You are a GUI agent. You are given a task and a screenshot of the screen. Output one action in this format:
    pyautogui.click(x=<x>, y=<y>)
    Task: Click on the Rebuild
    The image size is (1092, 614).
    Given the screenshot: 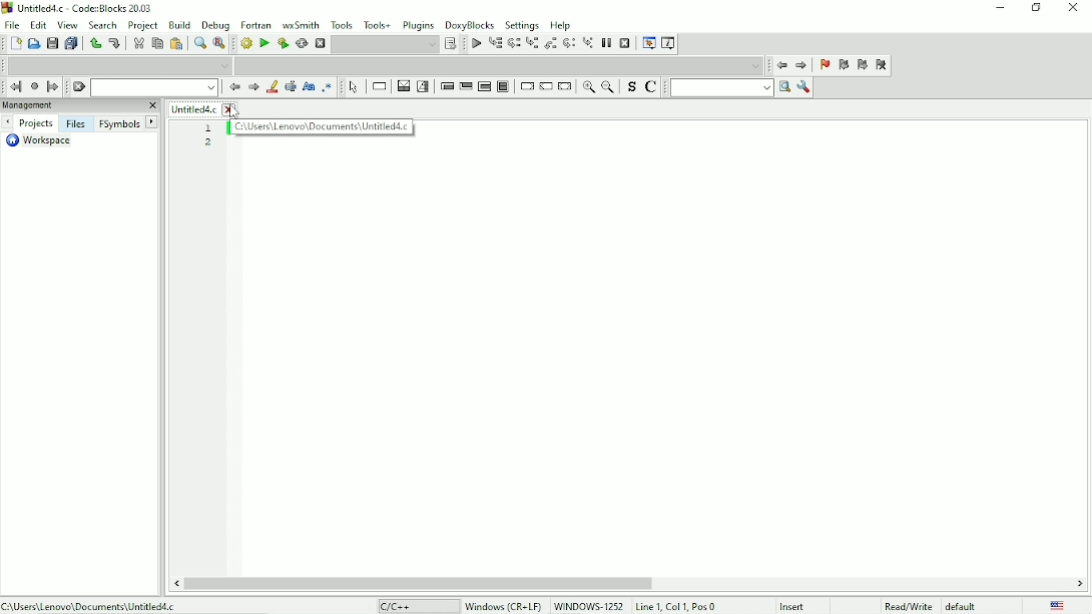 What is the action you would take?
    pyautogui.click(x=301, y=43)
    